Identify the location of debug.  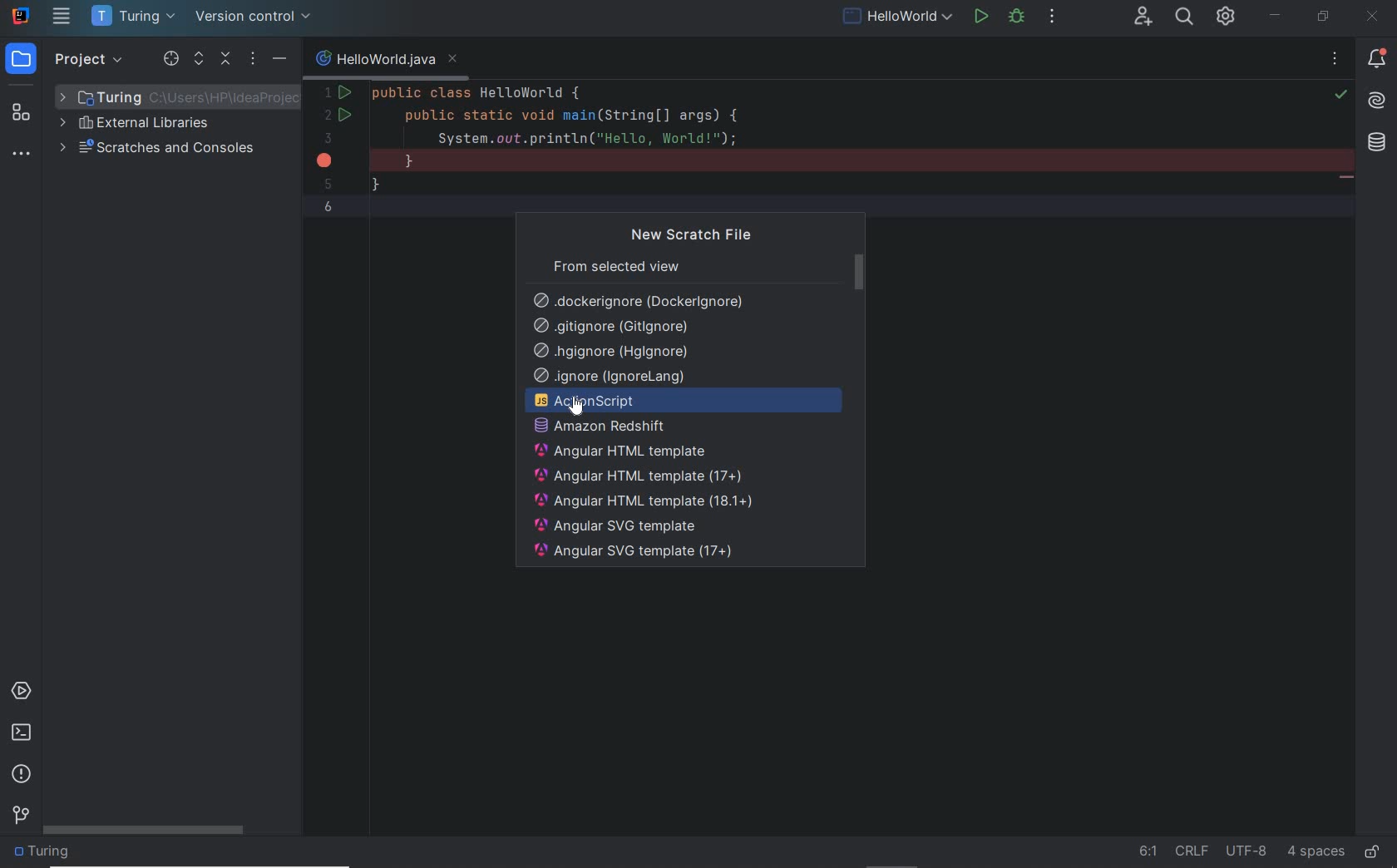
(1020, 18).